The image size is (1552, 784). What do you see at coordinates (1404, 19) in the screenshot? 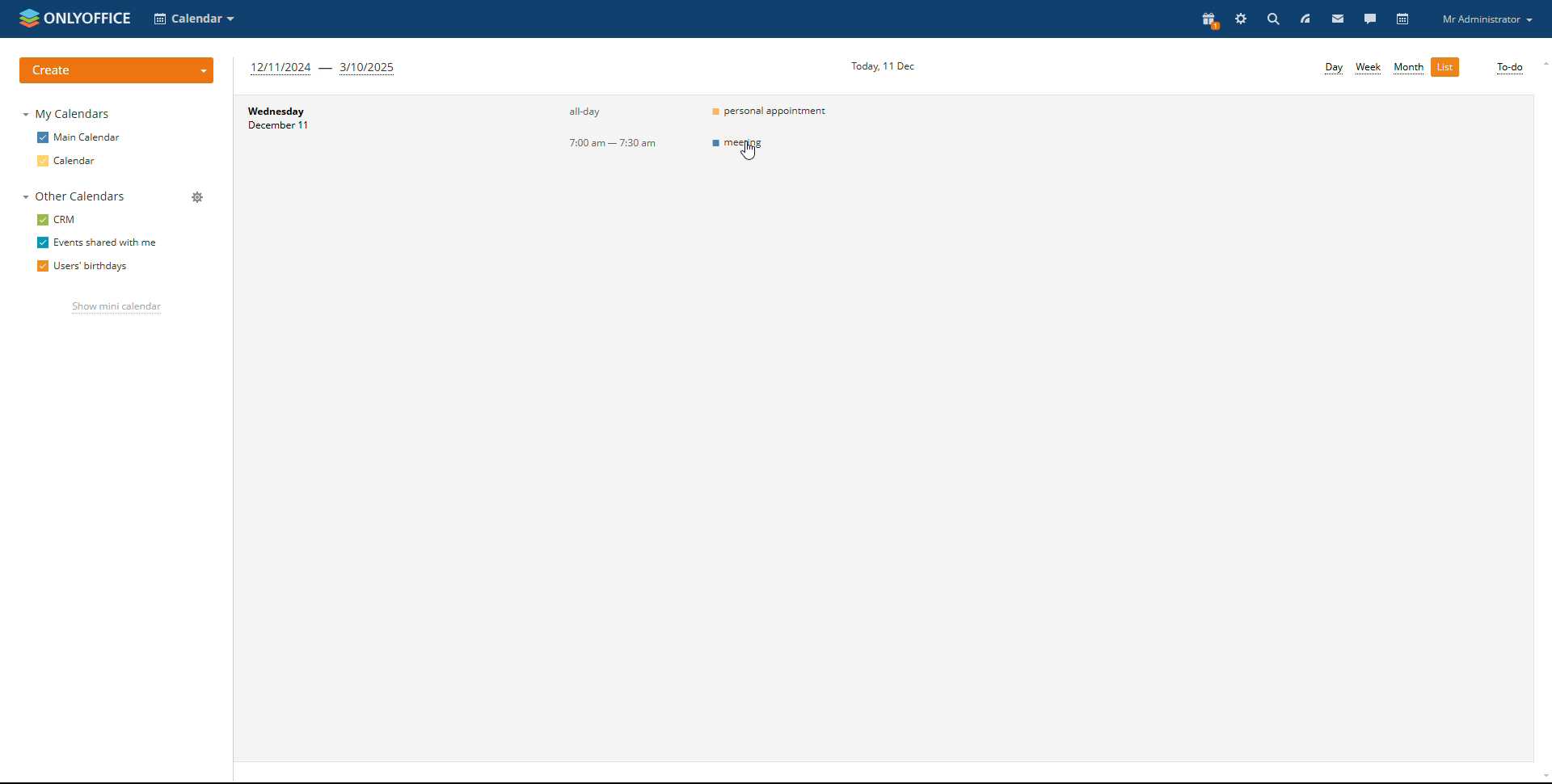
I see `calendar` at bounding box center [1404, 19].